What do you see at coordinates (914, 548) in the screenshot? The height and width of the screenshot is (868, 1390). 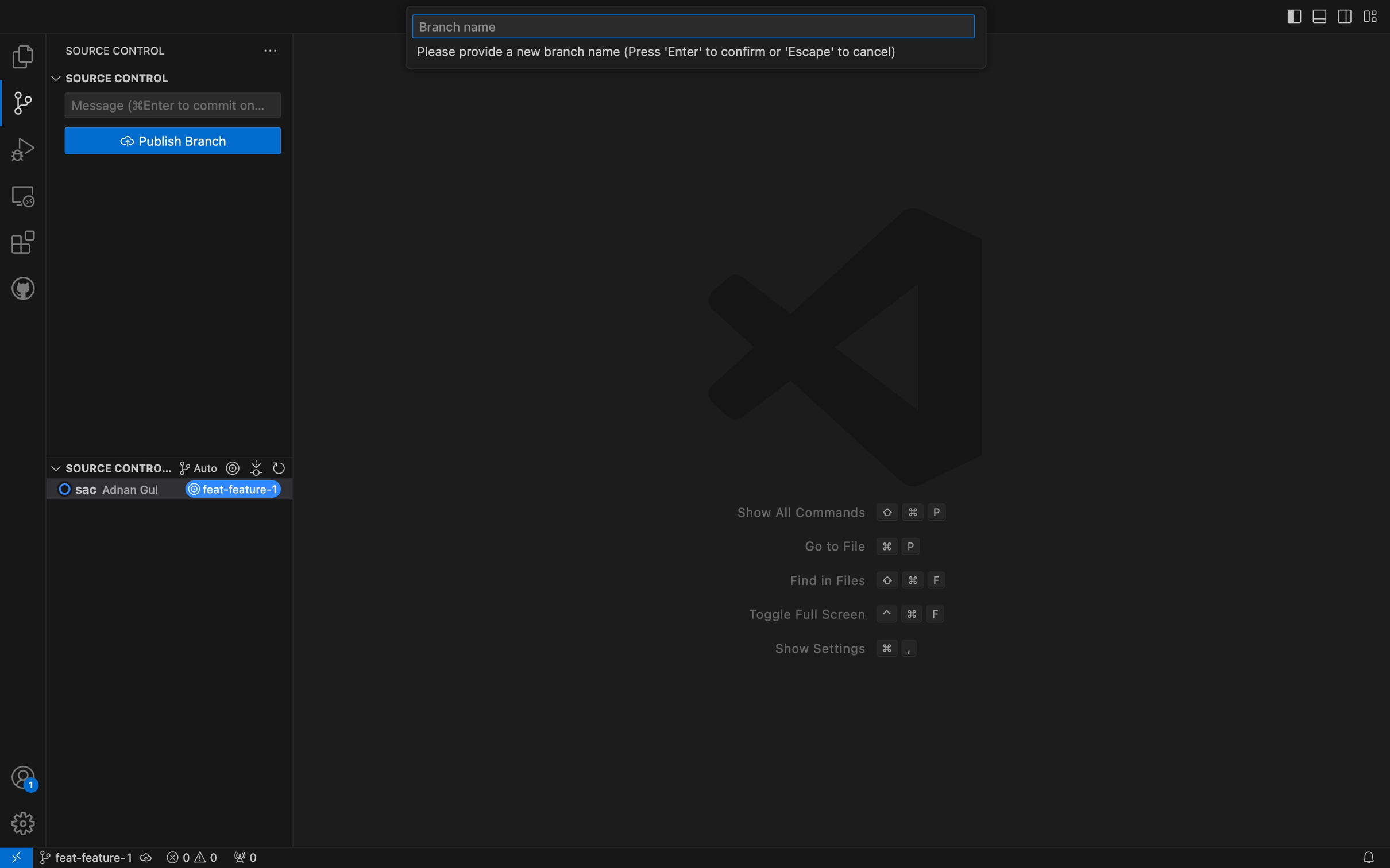 I see `P` at bounding box center [914, 548].